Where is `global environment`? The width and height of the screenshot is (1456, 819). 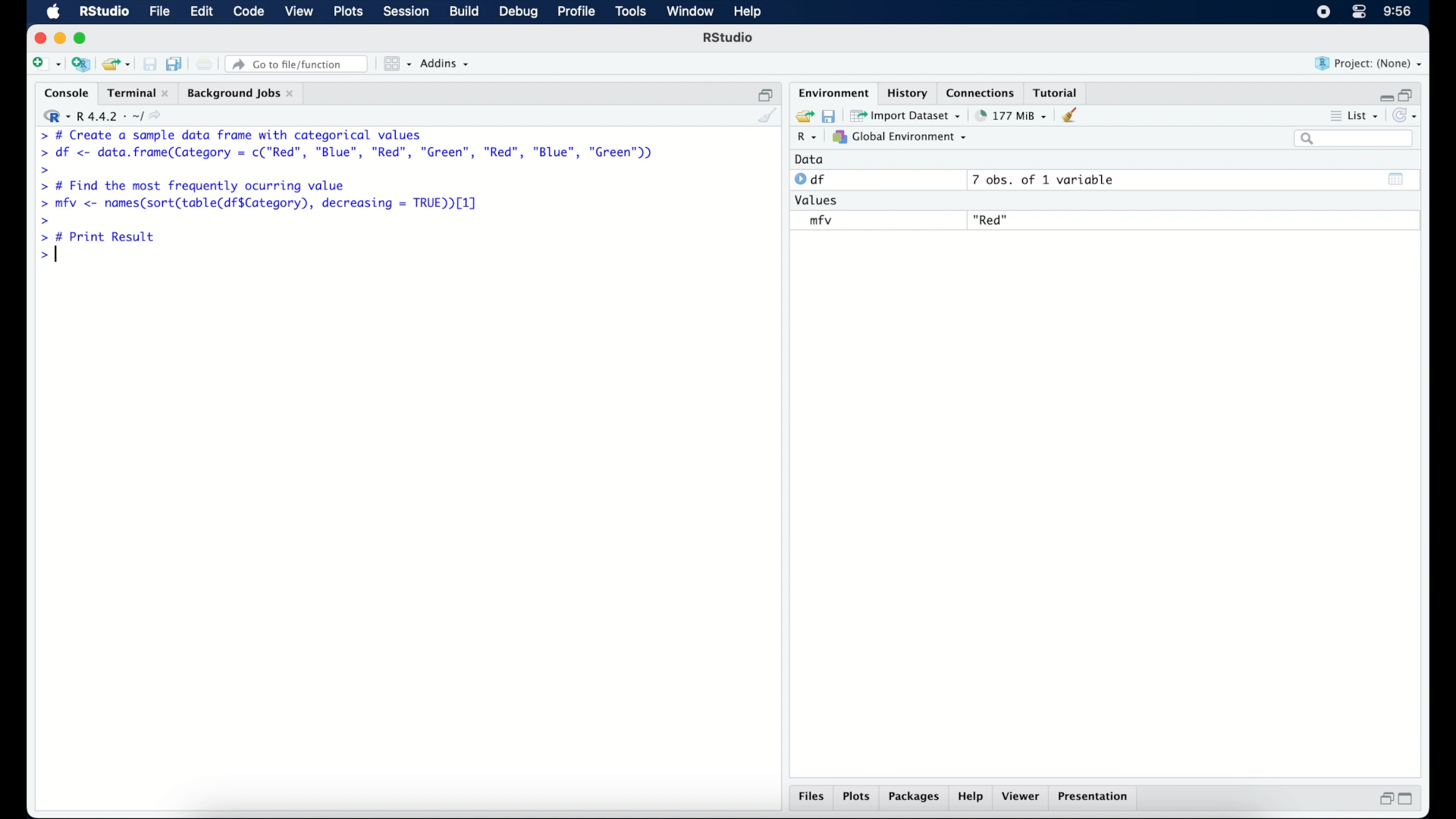 global environment is located at coordinates (905, 137).